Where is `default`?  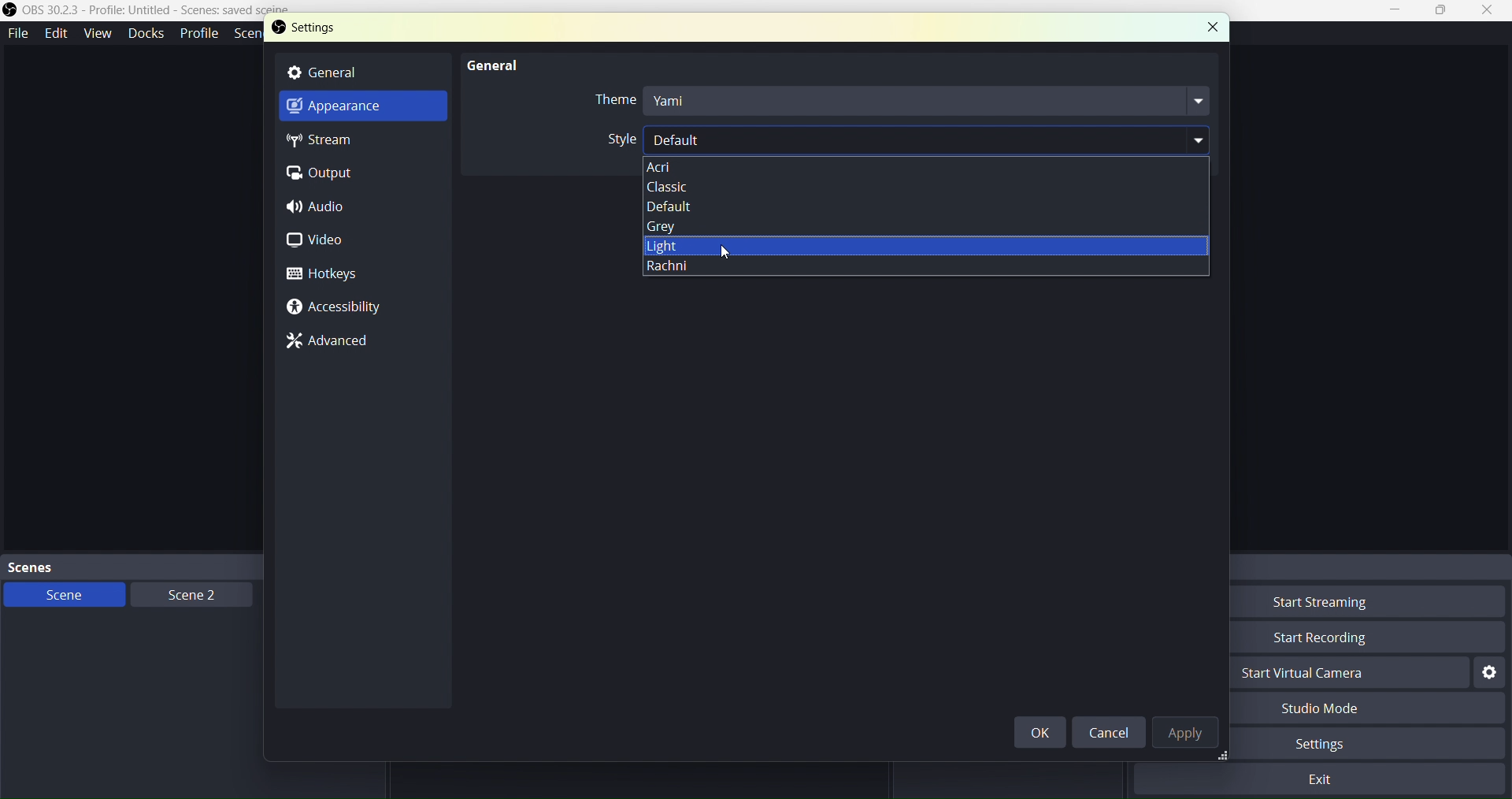 default is located at coordinates (958, 205).